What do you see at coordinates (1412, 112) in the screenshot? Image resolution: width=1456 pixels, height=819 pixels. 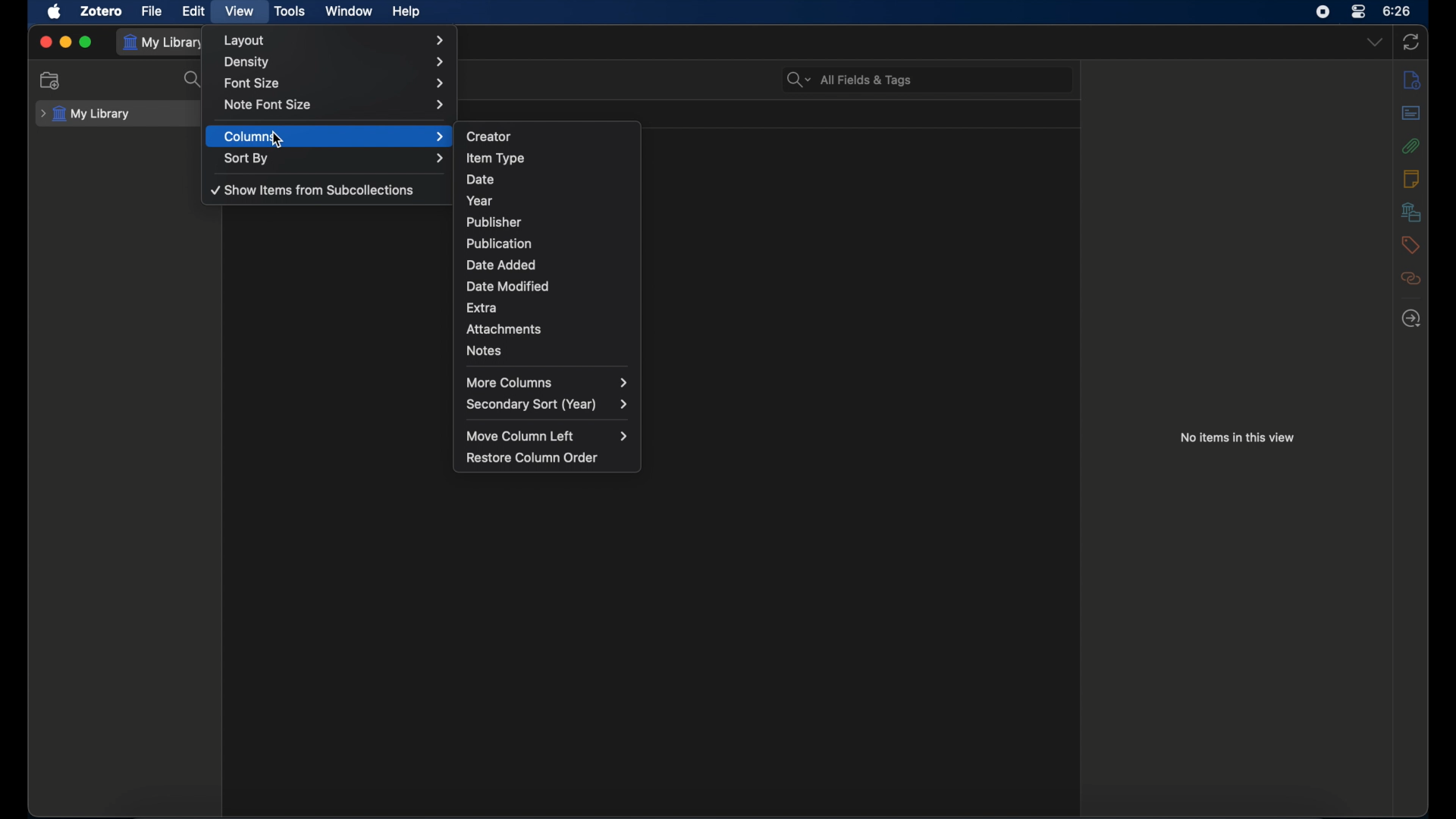 I see `abstract` at bounding box center [1412, 112].